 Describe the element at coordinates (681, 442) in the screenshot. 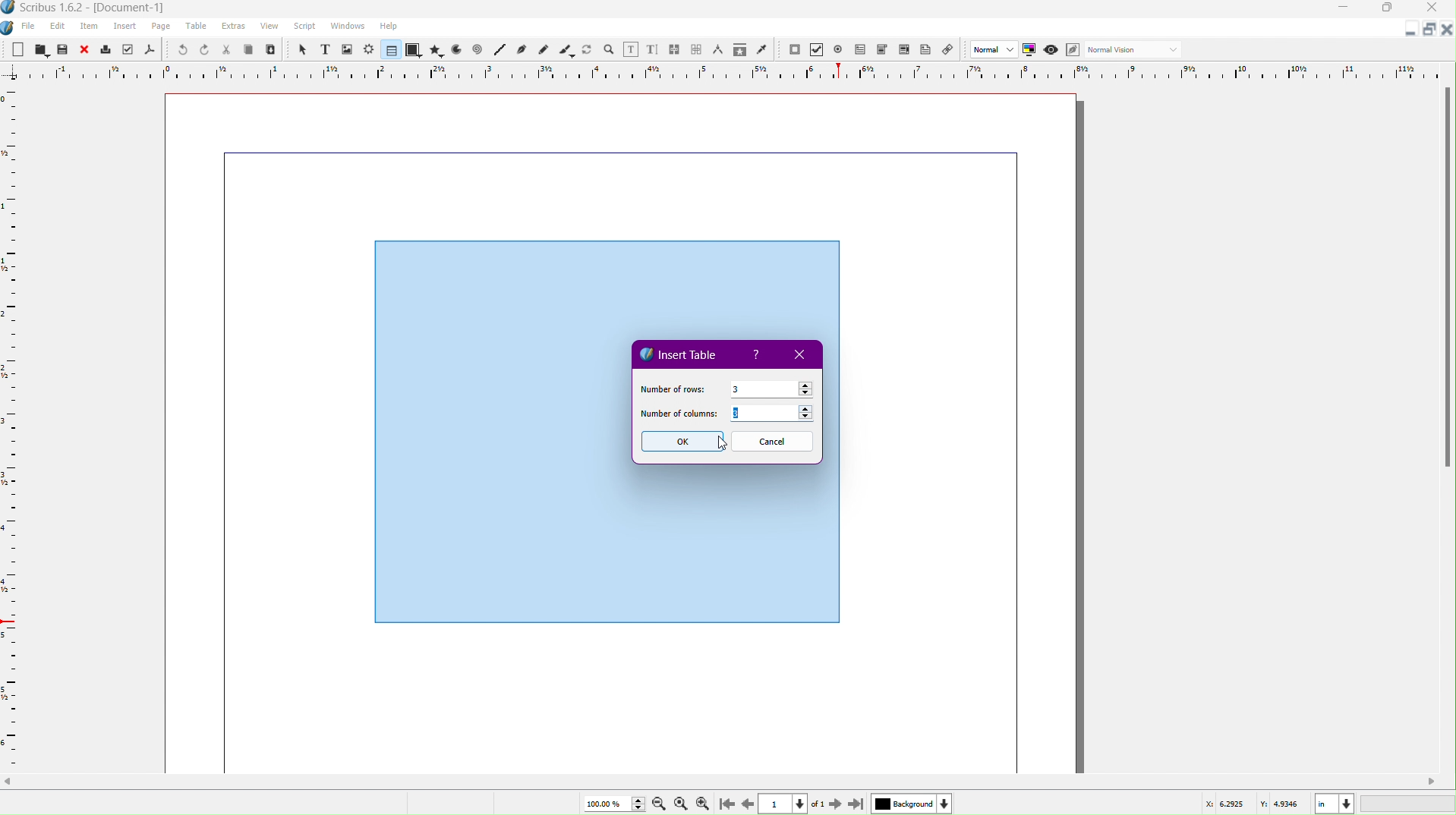

I see `OK` at that location.